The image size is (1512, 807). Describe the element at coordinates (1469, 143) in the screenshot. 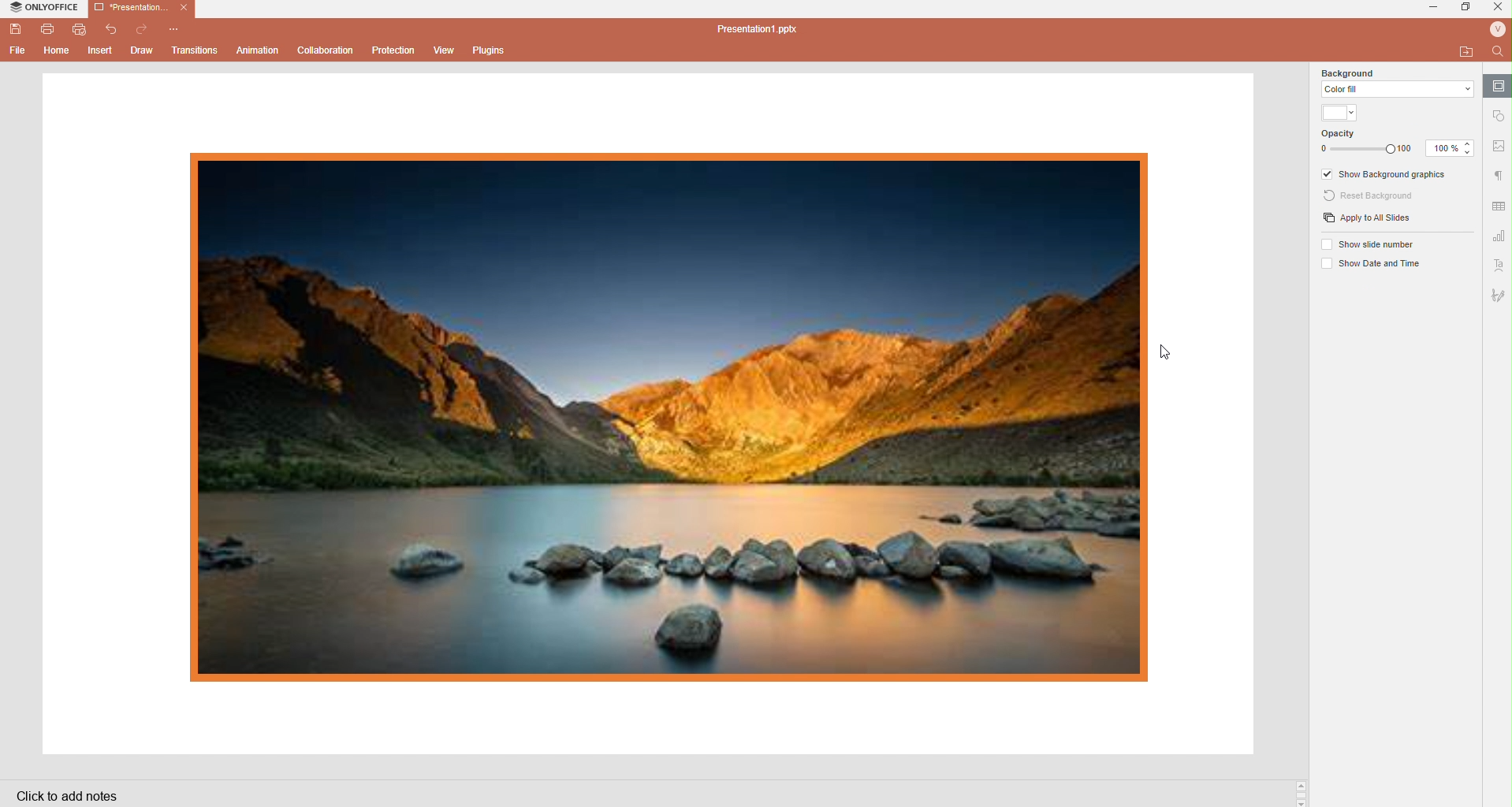

I see `Increase` at that location.